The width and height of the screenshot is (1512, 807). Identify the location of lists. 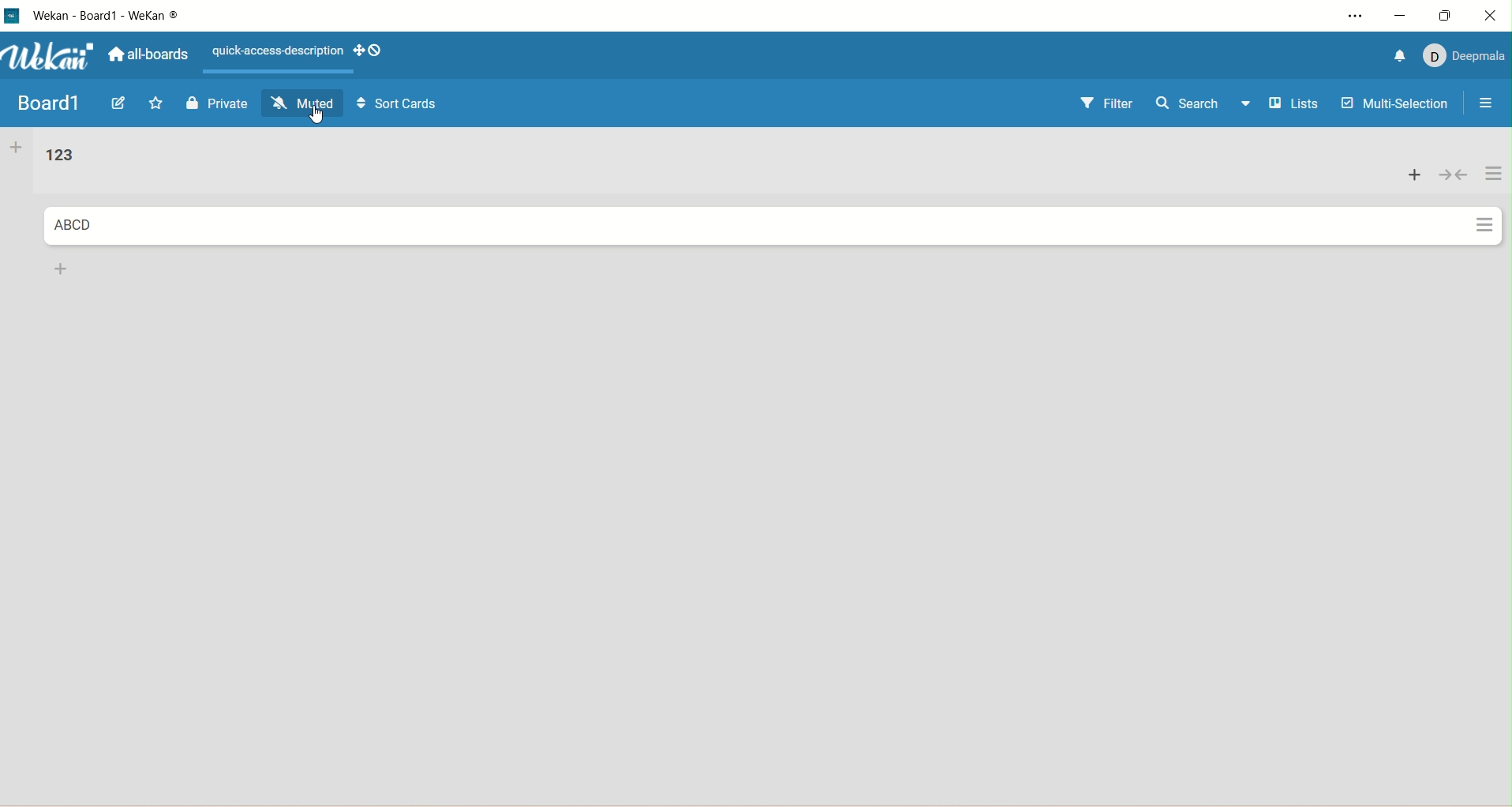
(1285, 105).